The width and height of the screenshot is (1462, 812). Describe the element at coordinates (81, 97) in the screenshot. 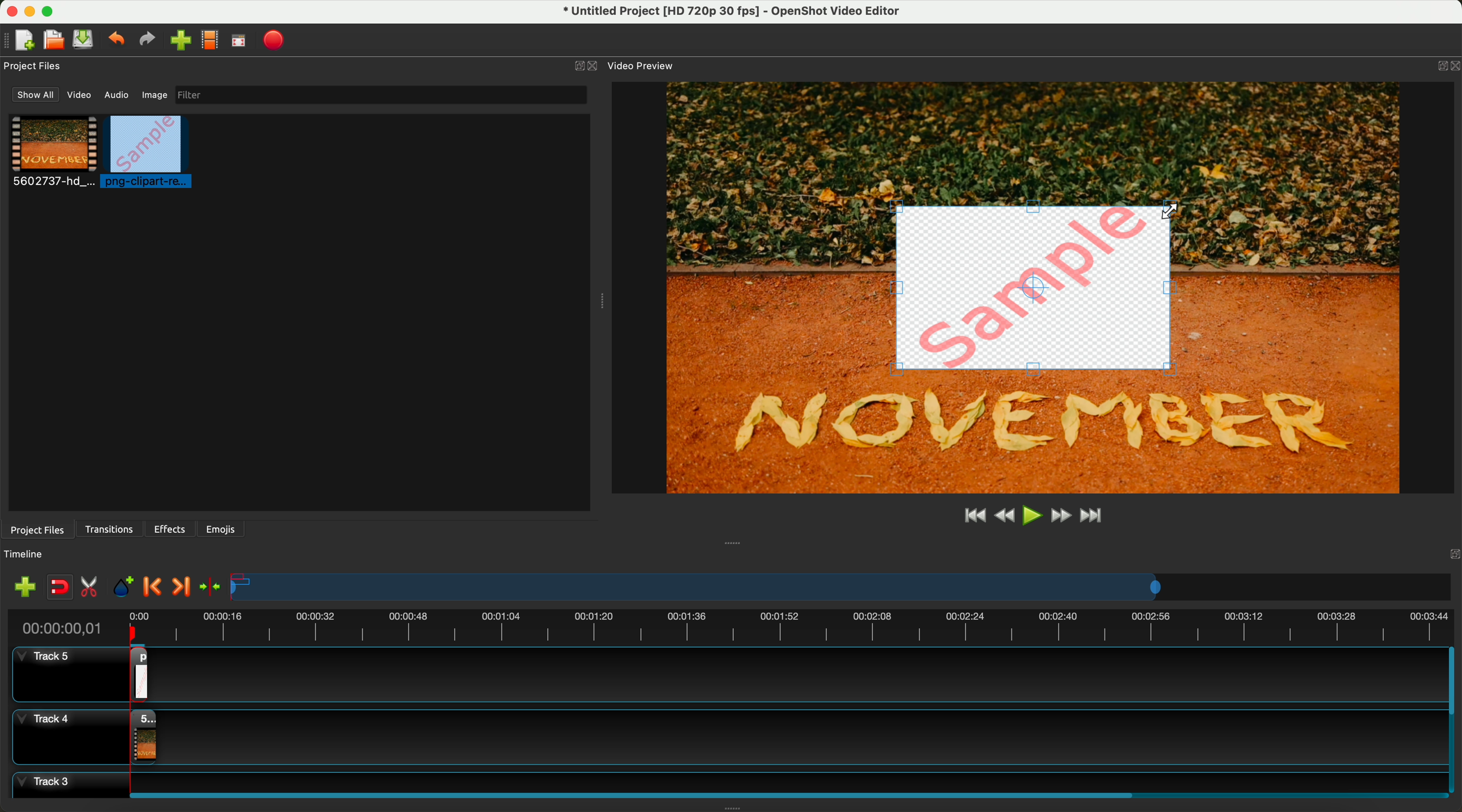

I see `video` at that location.